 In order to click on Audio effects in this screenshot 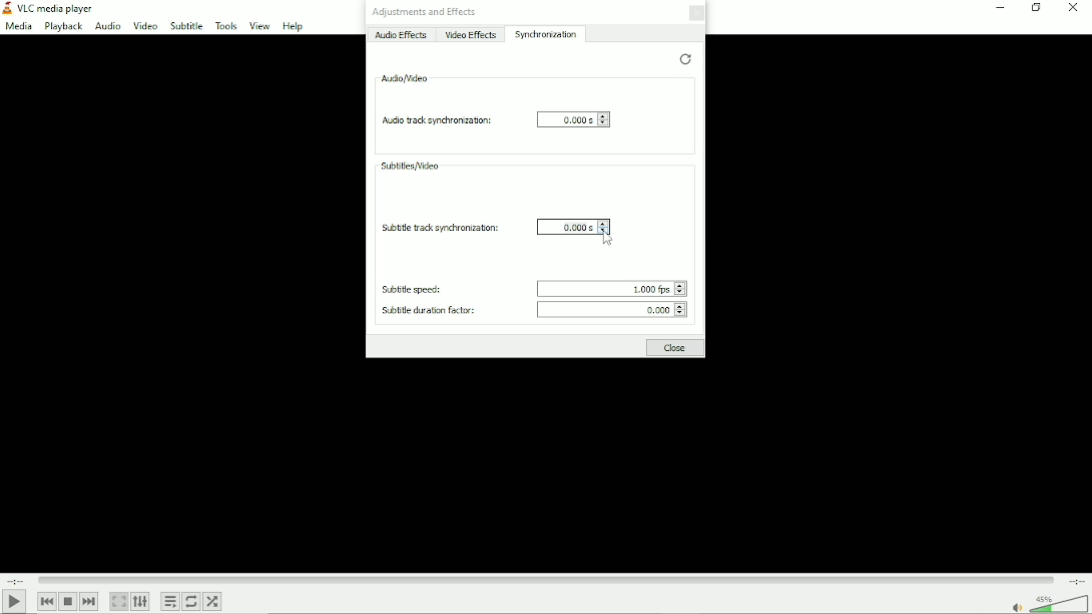, I will do `click(399, 36)`.